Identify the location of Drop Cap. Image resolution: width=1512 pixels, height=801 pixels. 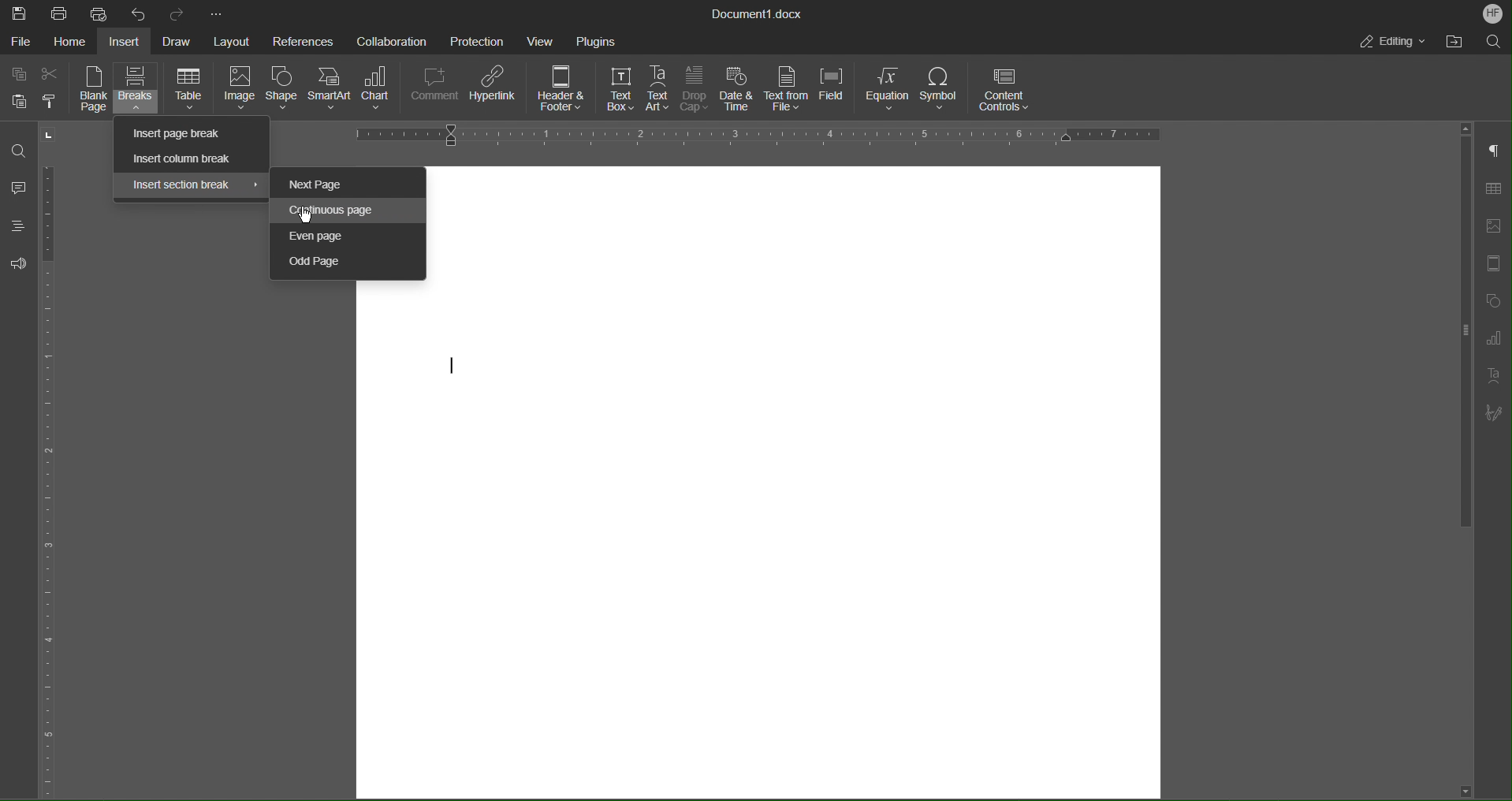
(695, 90).